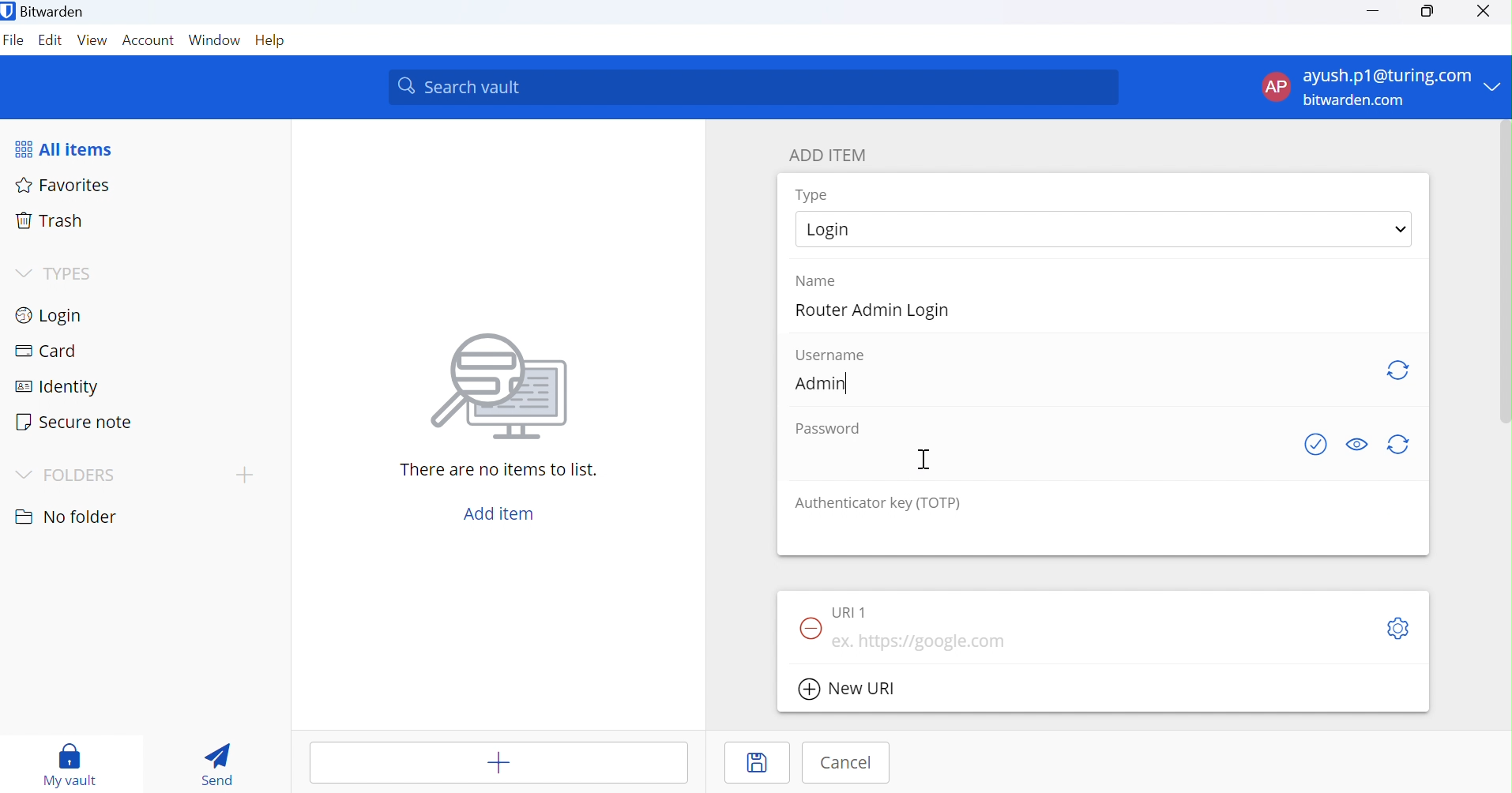  What do you see at coordinates (1356, 443) in the screenshot?
I see `Toggle visibility` at bounding box center [1356, 443].